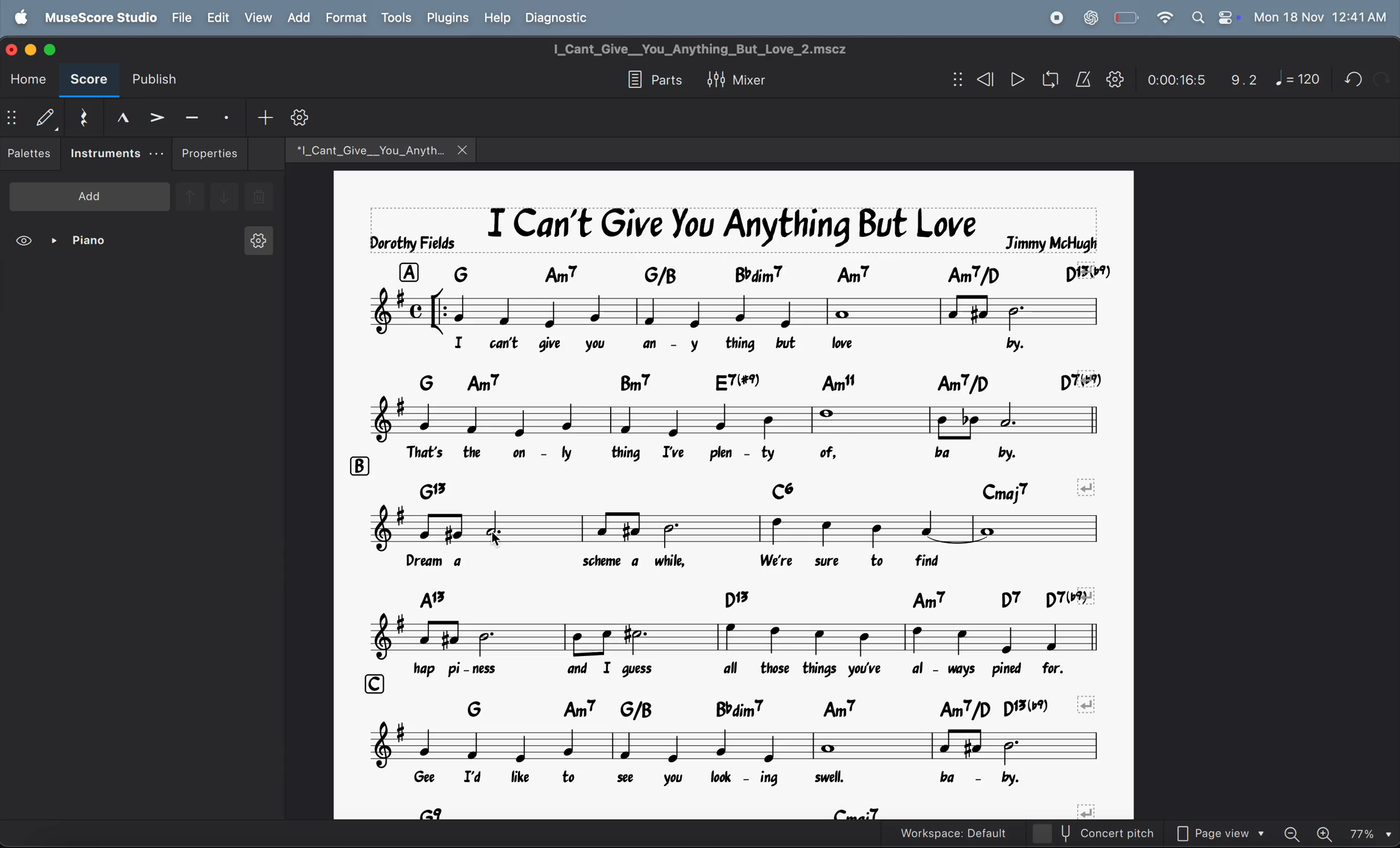 The height and width of the screenshot is (848, 1400). What do you see at coordinates (188, 115) in the screenshot?
I see `tenuto` at bounding box center [188, 115].